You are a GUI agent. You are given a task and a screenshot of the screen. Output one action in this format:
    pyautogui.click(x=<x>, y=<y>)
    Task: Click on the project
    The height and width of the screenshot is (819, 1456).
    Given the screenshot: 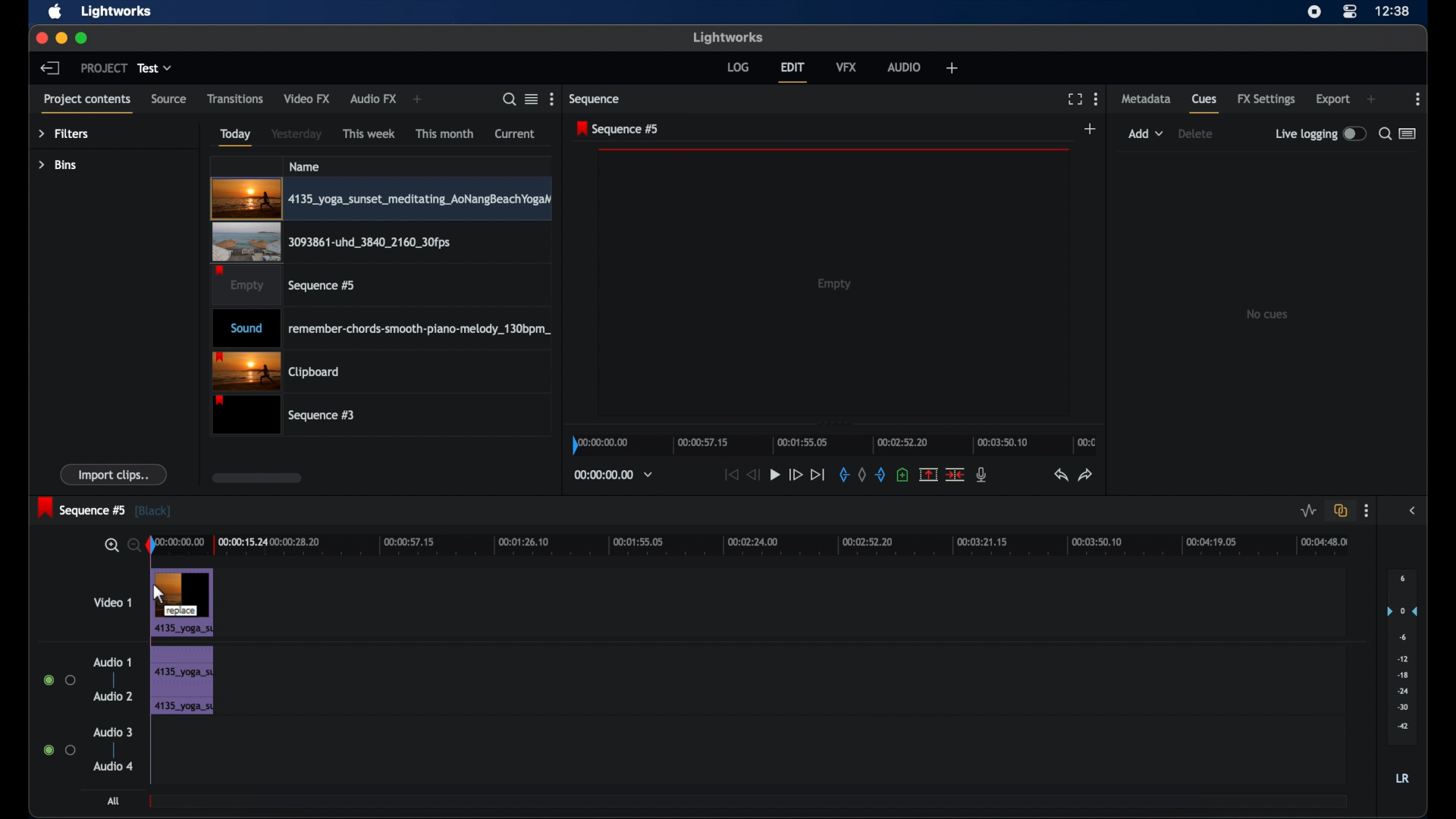 What is the action you would take?
    pyautogui.click(x=102, y=67)
    